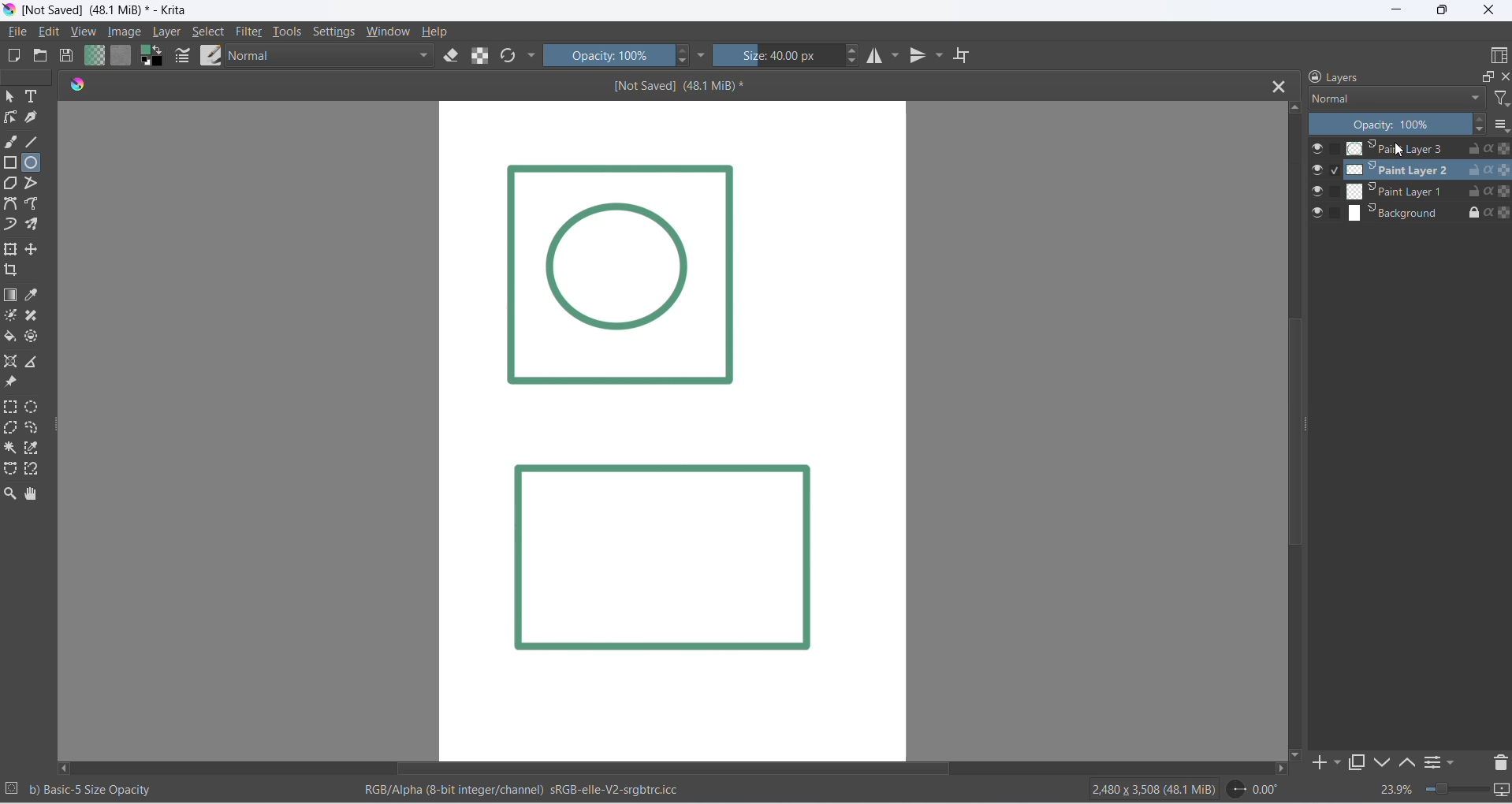  What do you see at coordinates (212, 33) in the screenshot?
I see `select` at bounding box center [212, 33].